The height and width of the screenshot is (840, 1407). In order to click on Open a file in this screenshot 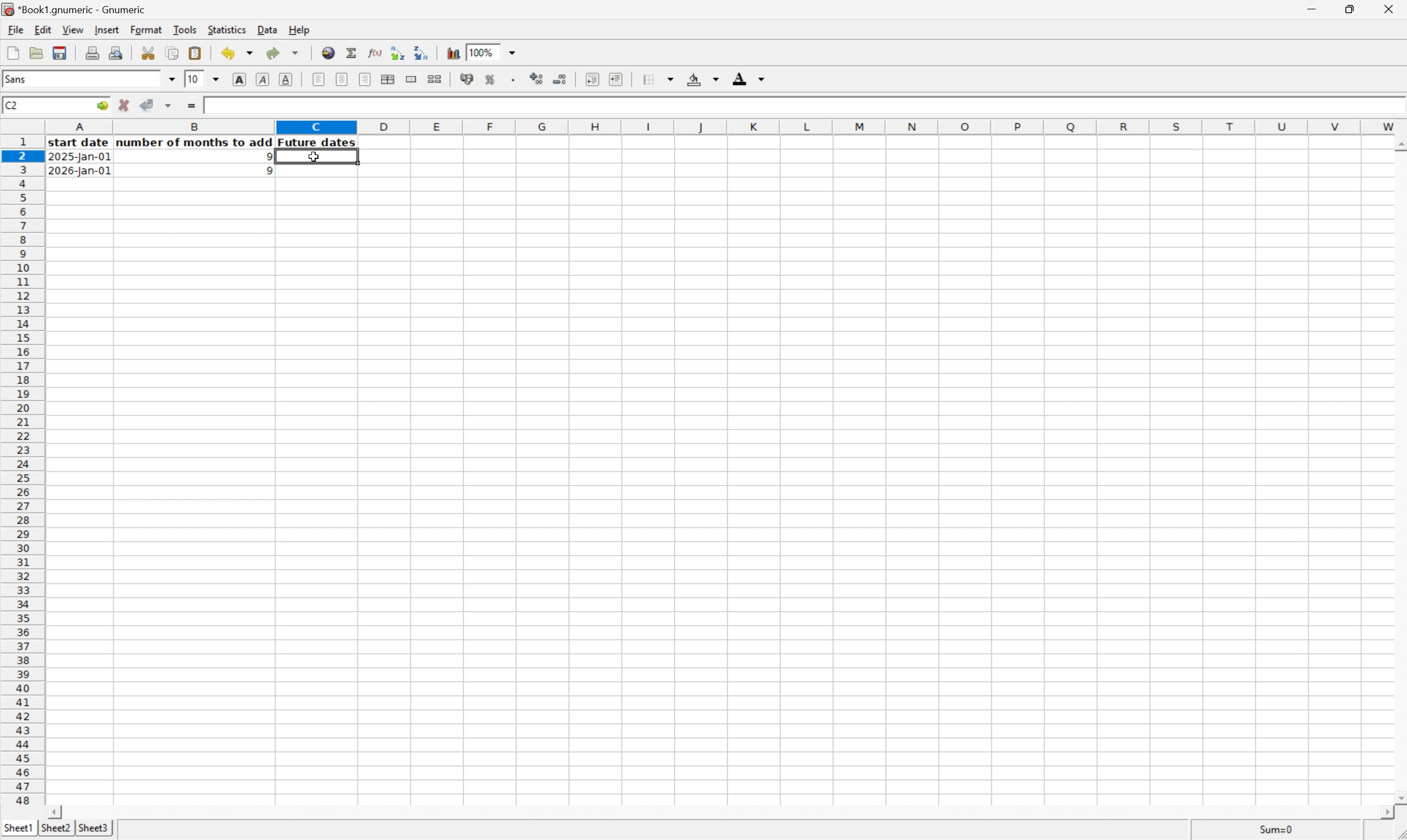, I will do `click(35, 53)`.